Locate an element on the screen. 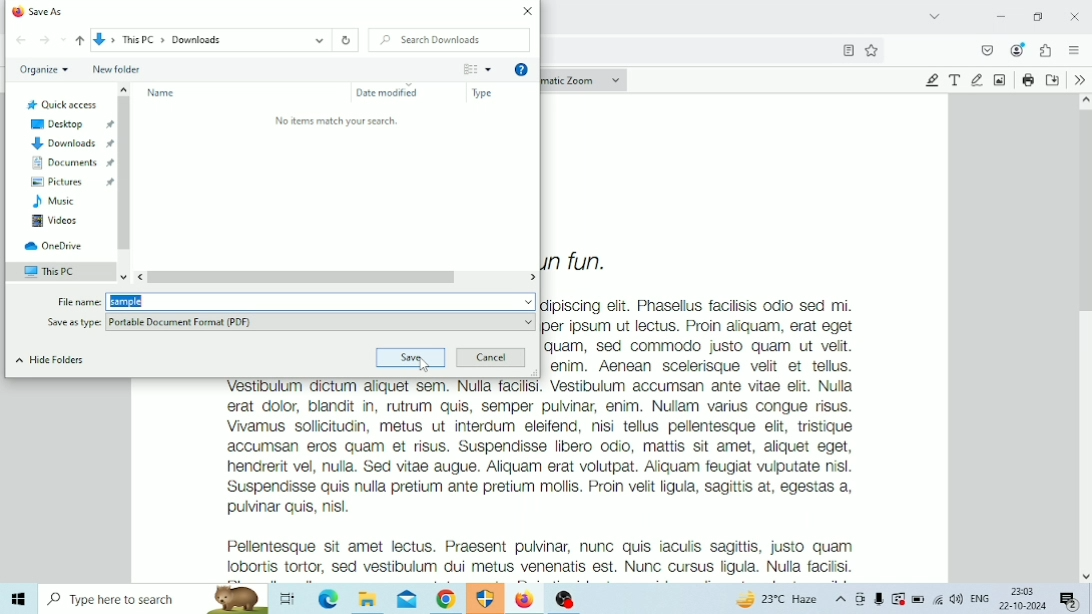  Account is located at coordinates (1019, 50).